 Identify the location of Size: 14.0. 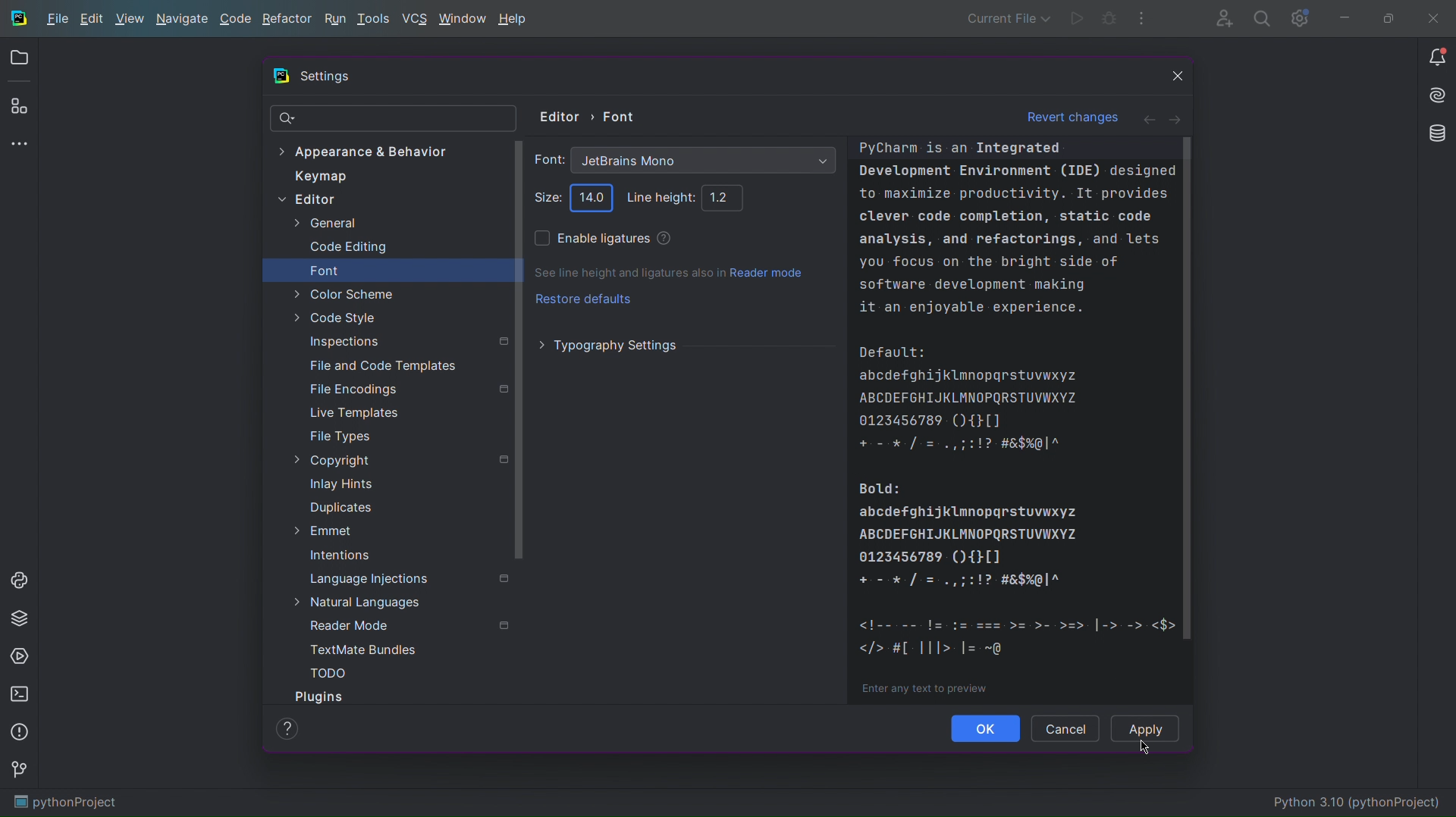
(591, 197).